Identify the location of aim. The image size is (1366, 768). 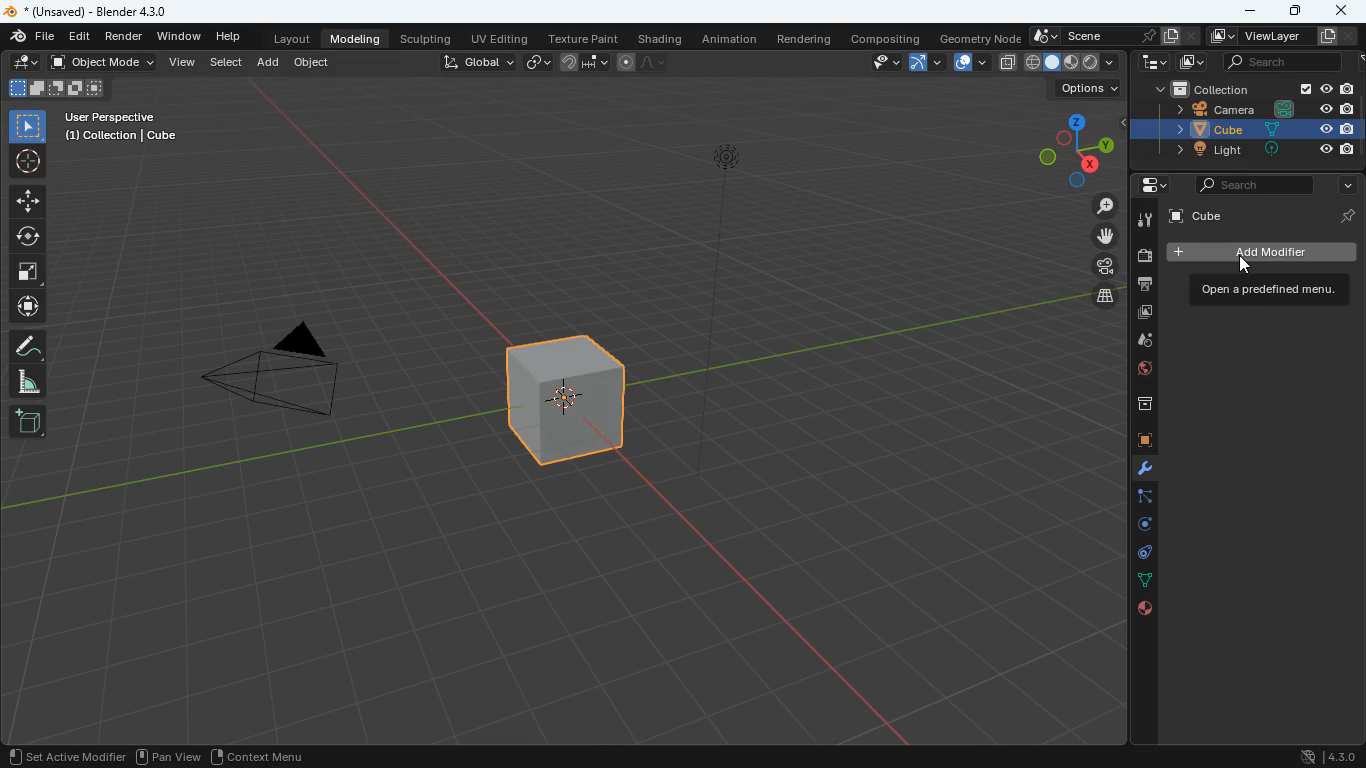
(27, 161).